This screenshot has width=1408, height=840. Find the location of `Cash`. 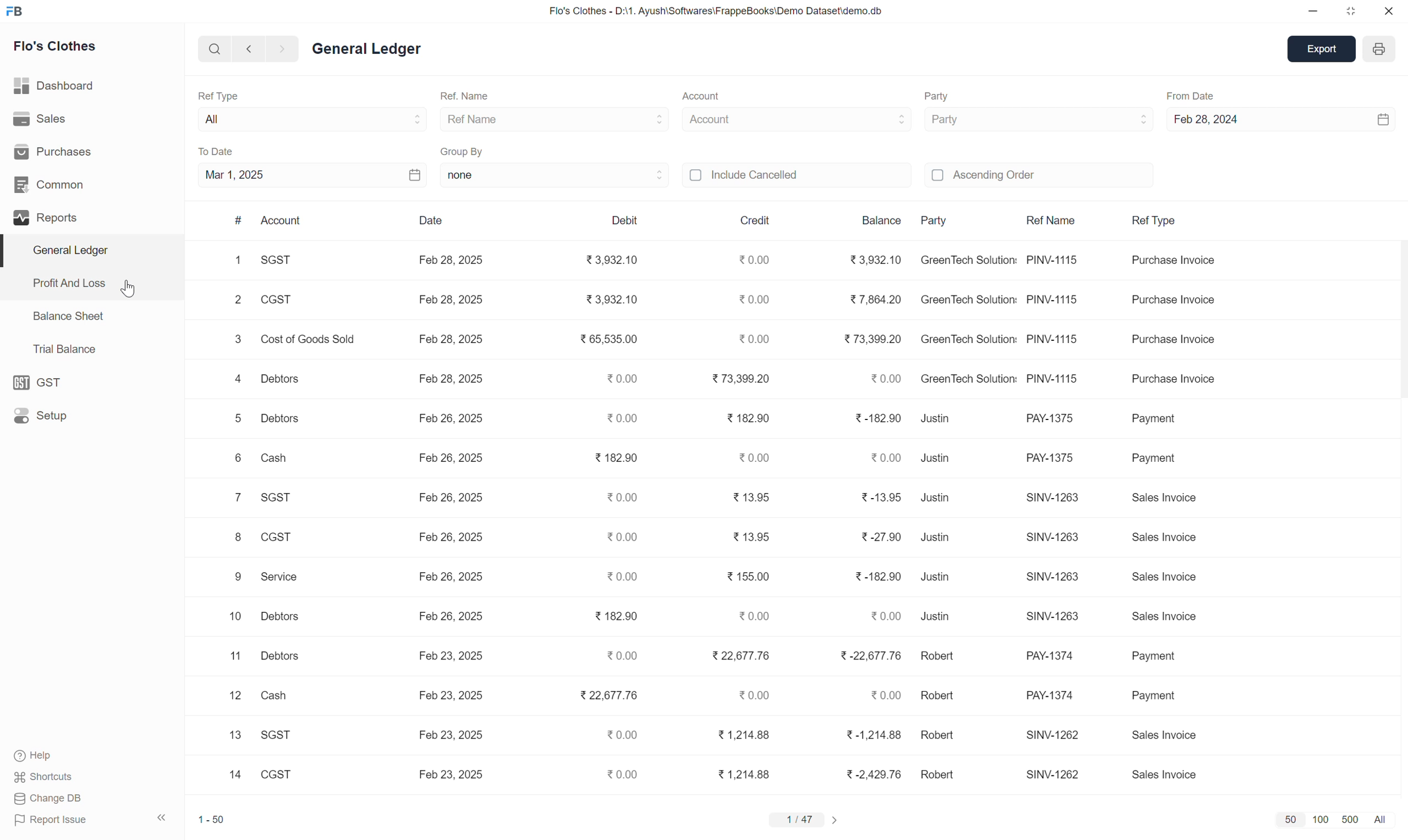

Cash is located at coordinates (275, 459).